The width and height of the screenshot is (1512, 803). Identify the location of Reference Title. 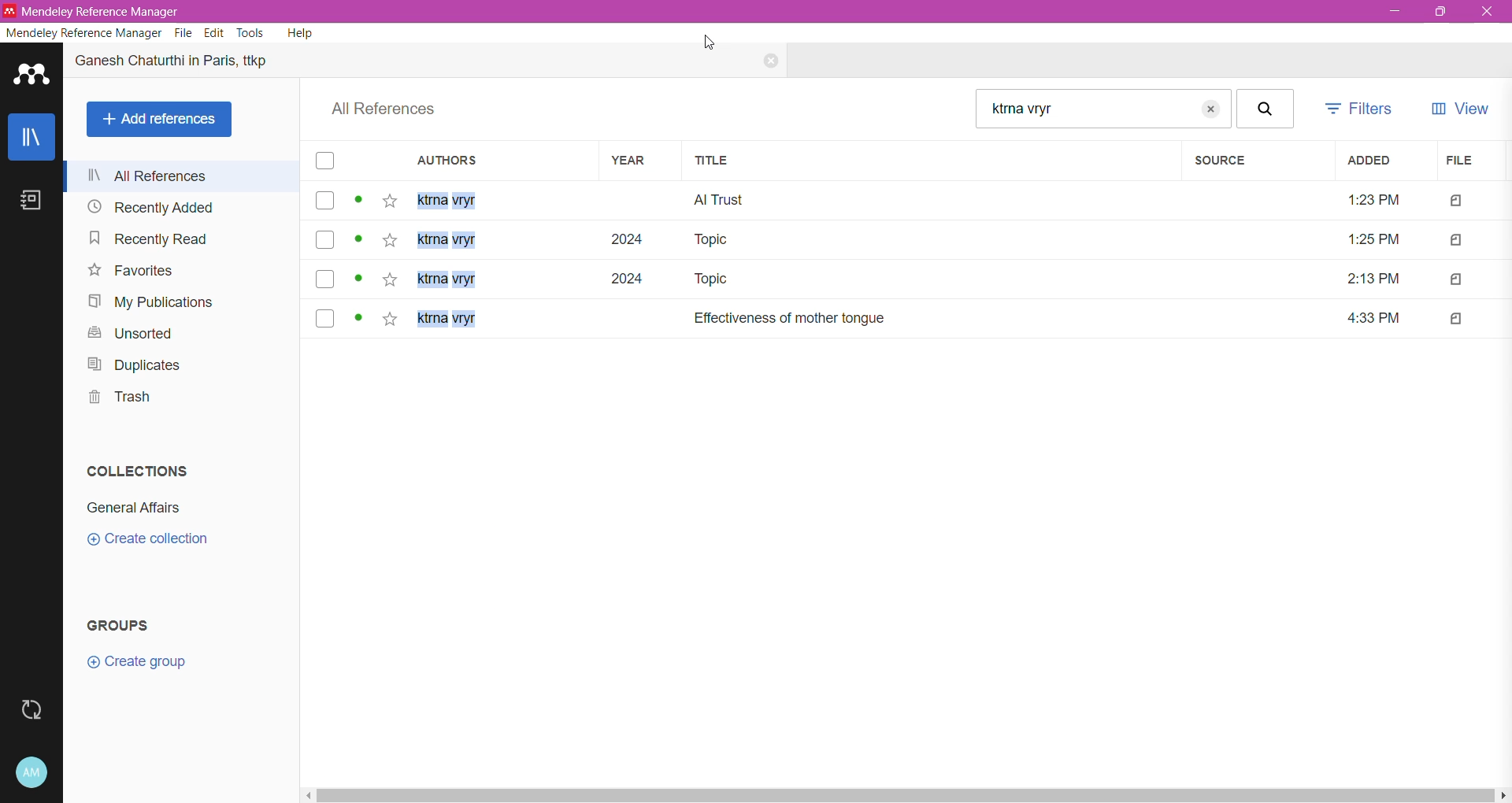
(189, 65).